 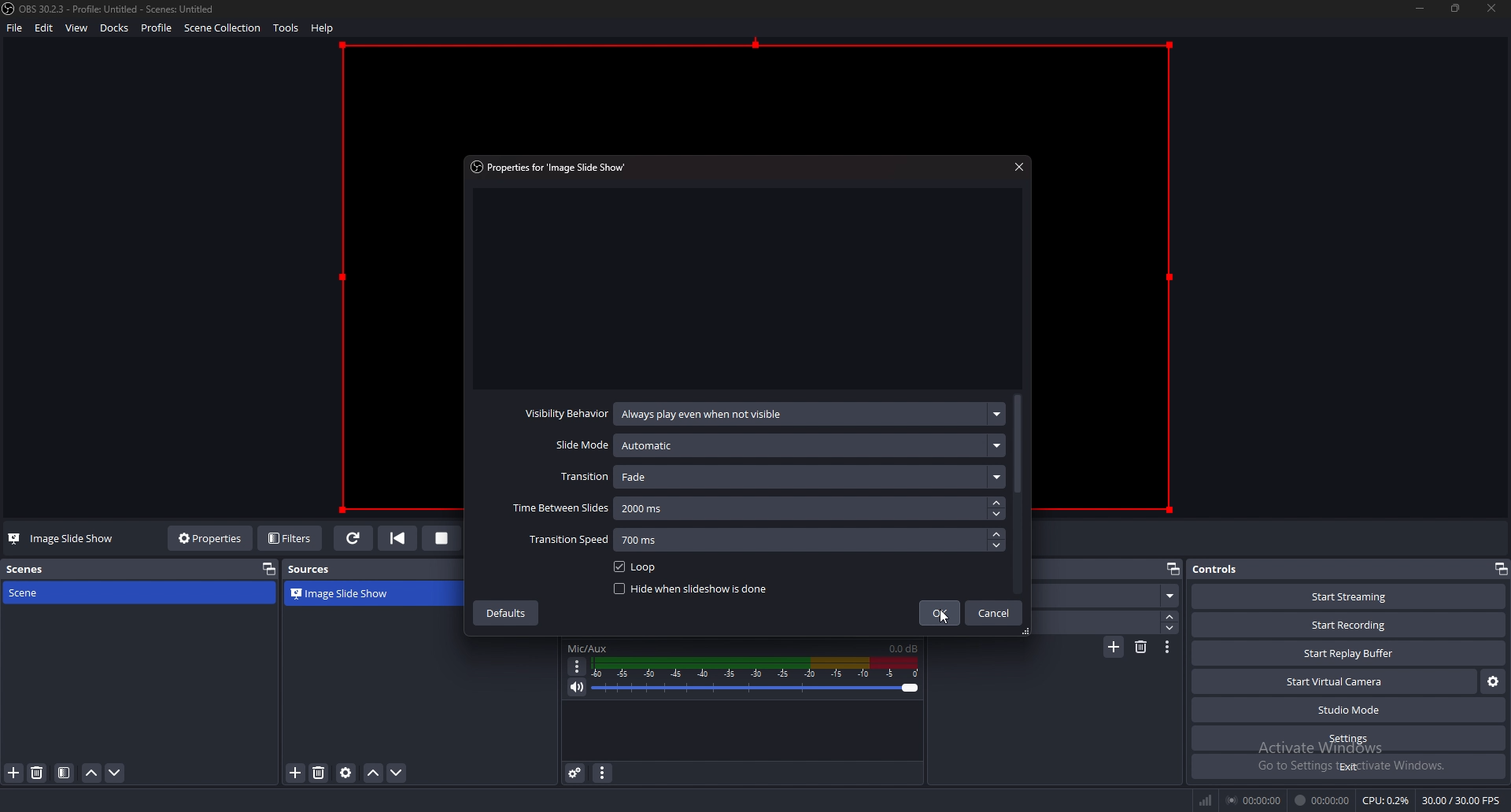 I want to click on filter, so click(x=65, y=773).